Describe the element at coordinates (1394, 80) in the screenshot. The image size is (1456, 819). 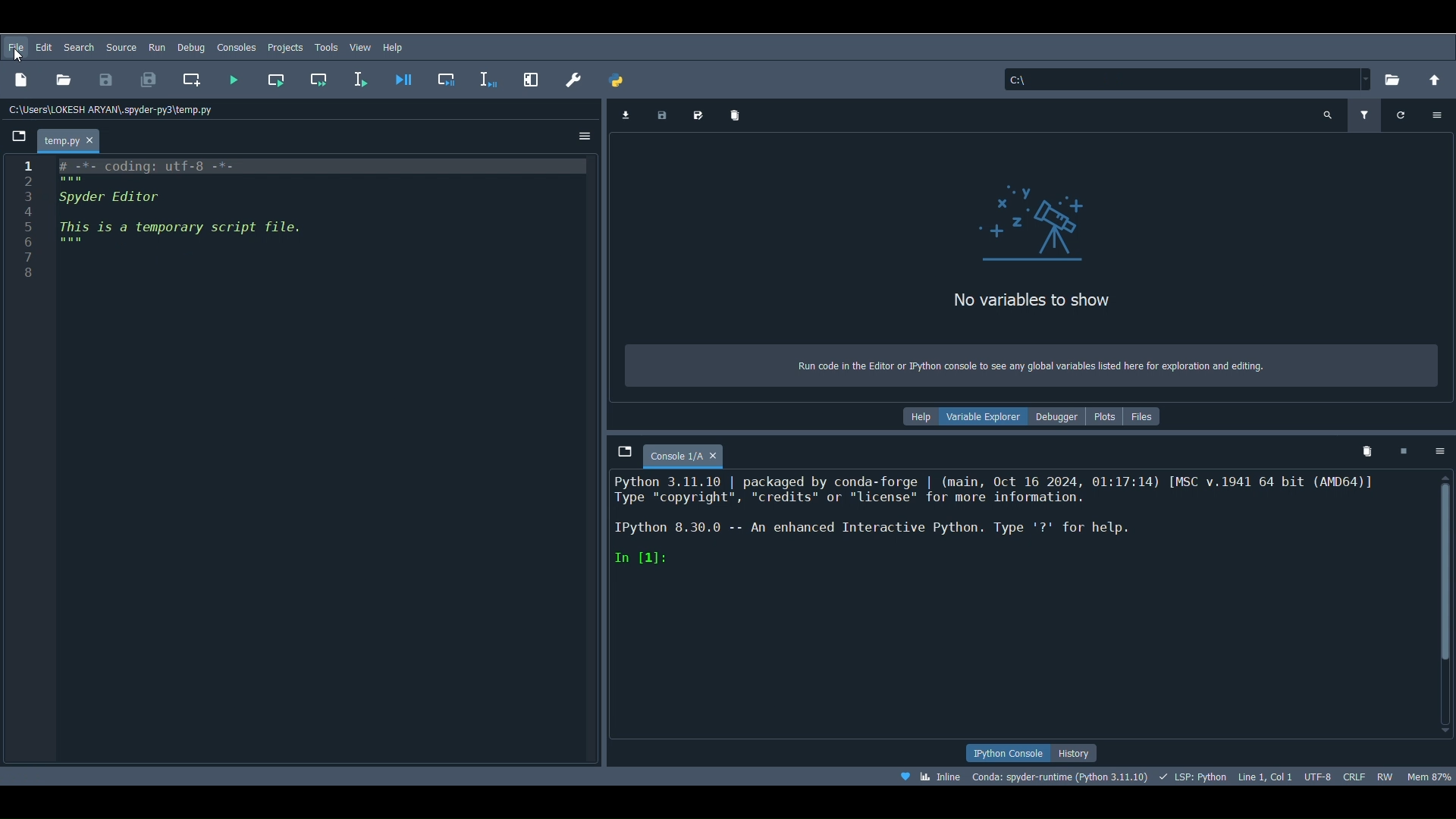
I see `Browse a working directory` at that location.